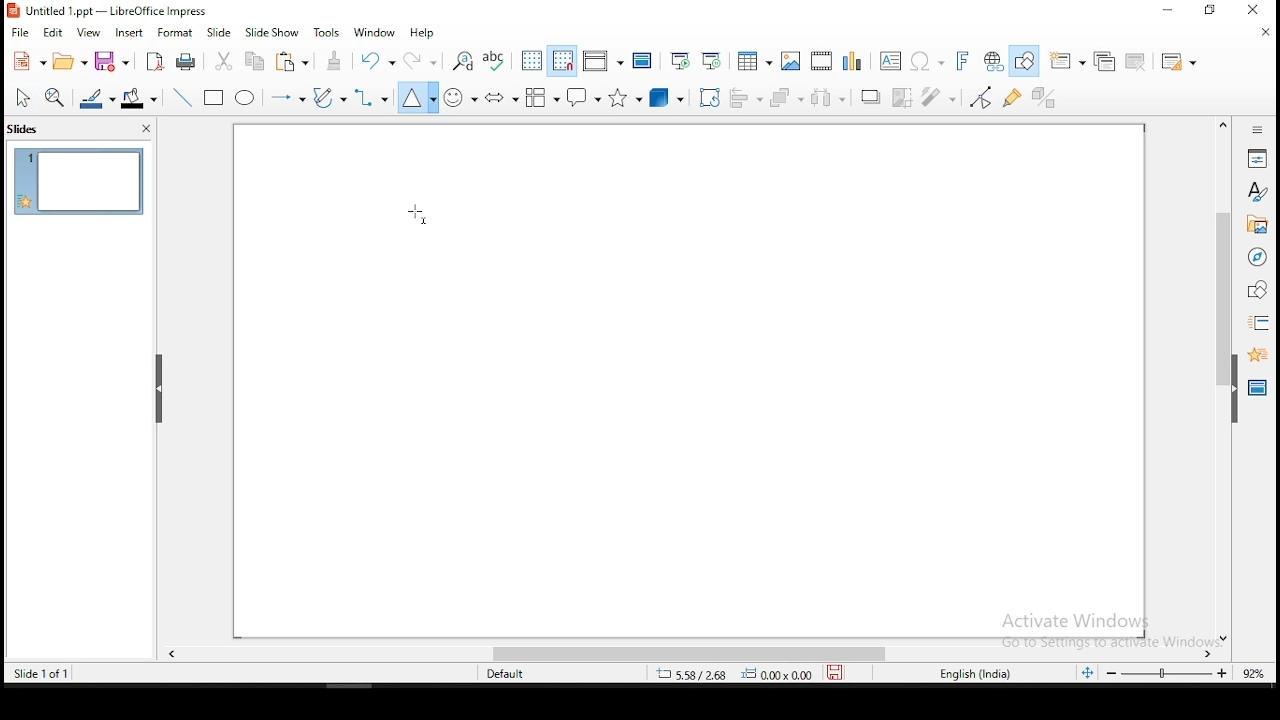 Image resolution: width=1280 pixels, height=720 pixels. Describe the element at coordinates (680, 60) in the screenshot. I see `start from first slide` at that location.